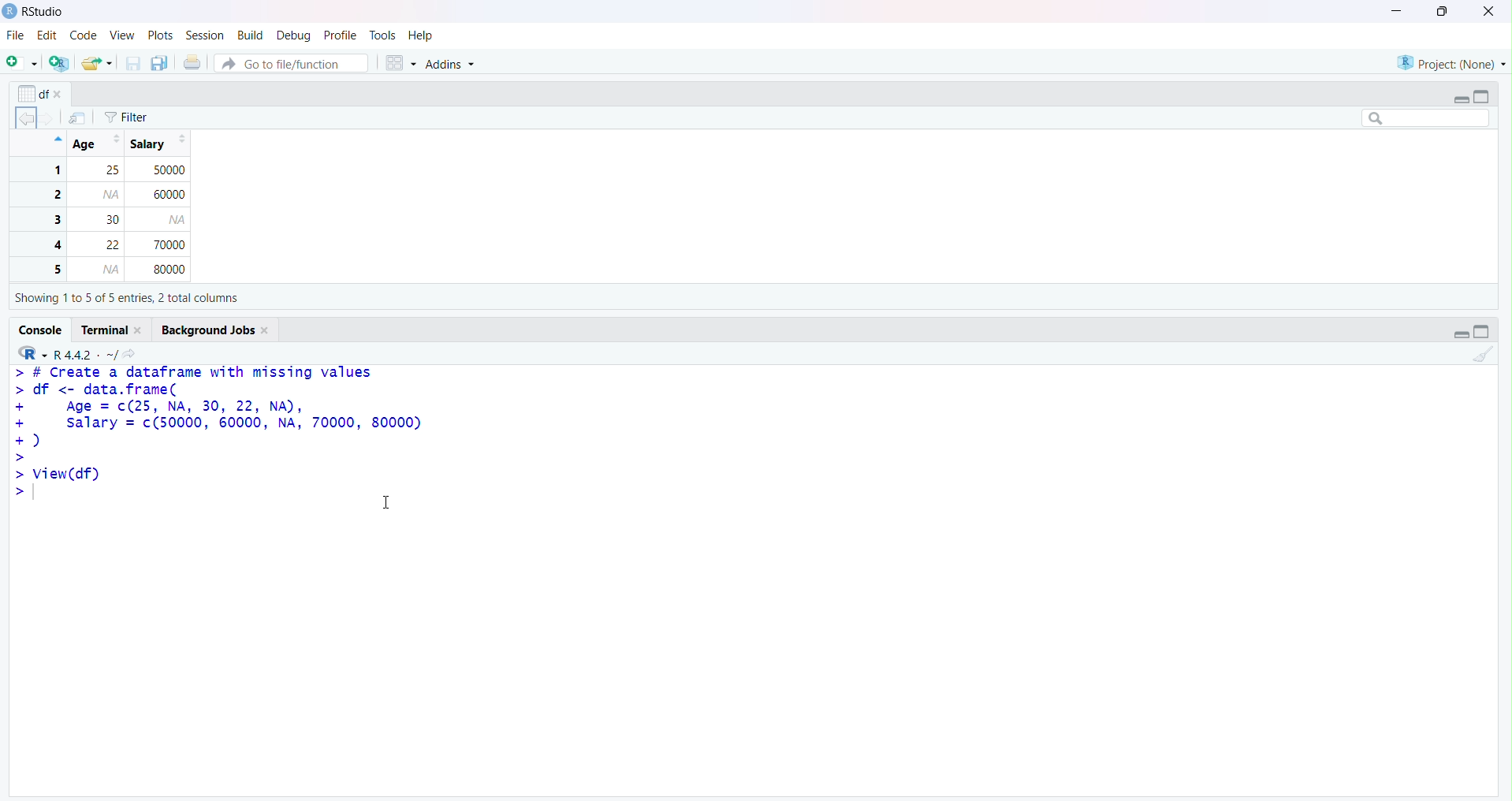  I want to click on Build, so click(251, 35).